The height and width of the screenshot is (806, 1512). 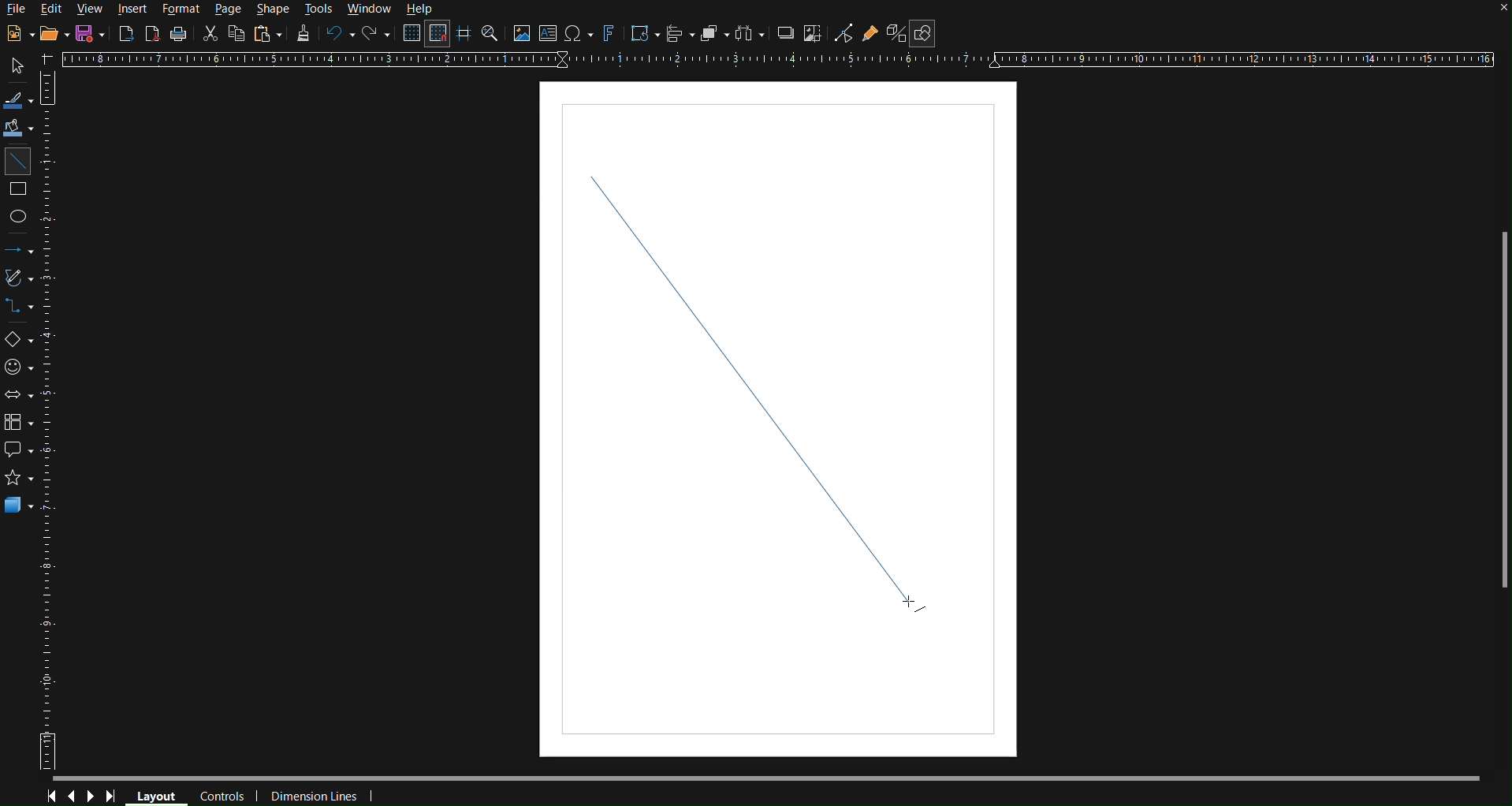 What do you see at coordinates (752, 33) in the screenshot?
I see `Distribute objects` at bounding box center [752, 33].